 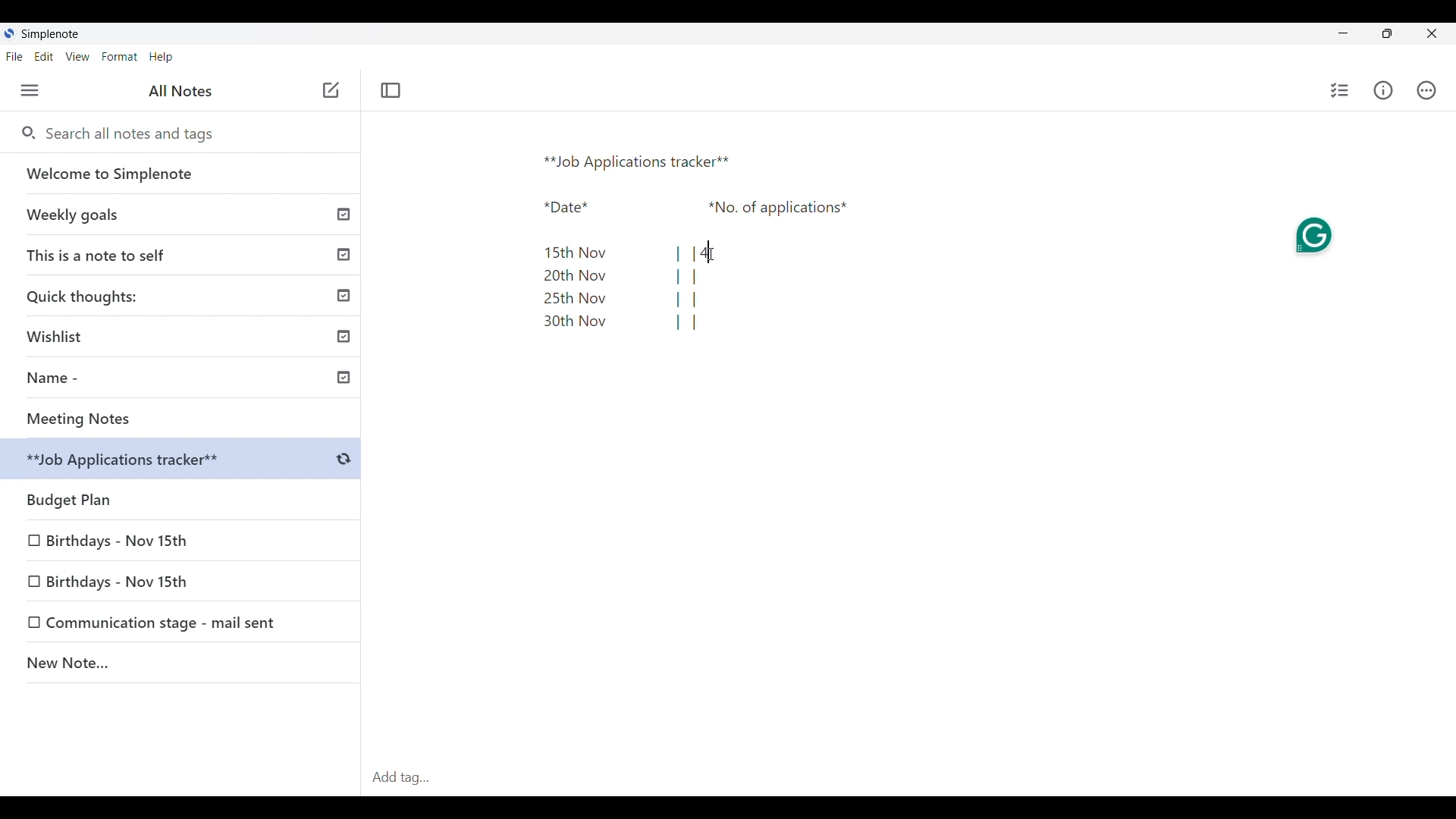 I want to click on Toggle focus mode, so click(x=390, y=90).